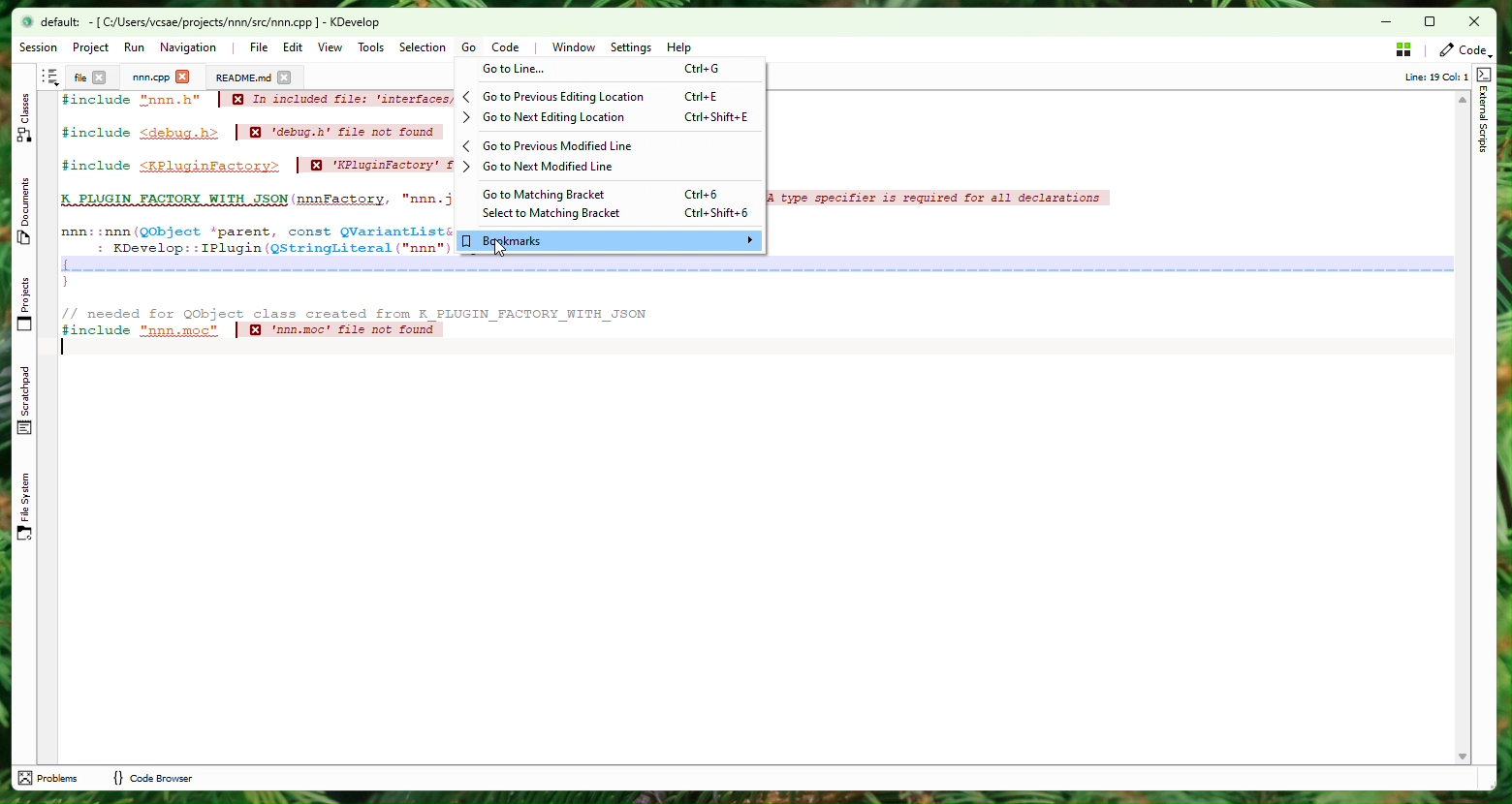  Describe the element at coordinates (573, 47) in the screenshot. I see `Window` at that location.